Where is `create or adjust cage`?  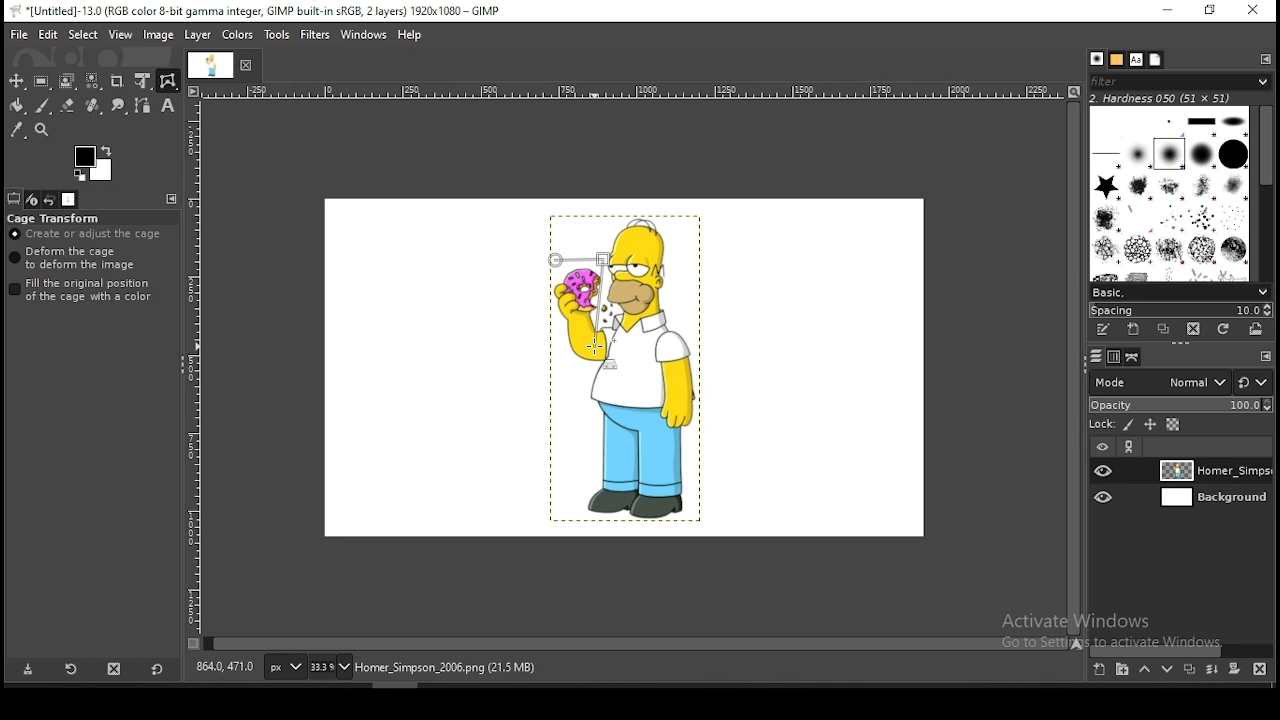 create or adjust cage is located at coordinates (87, 234).